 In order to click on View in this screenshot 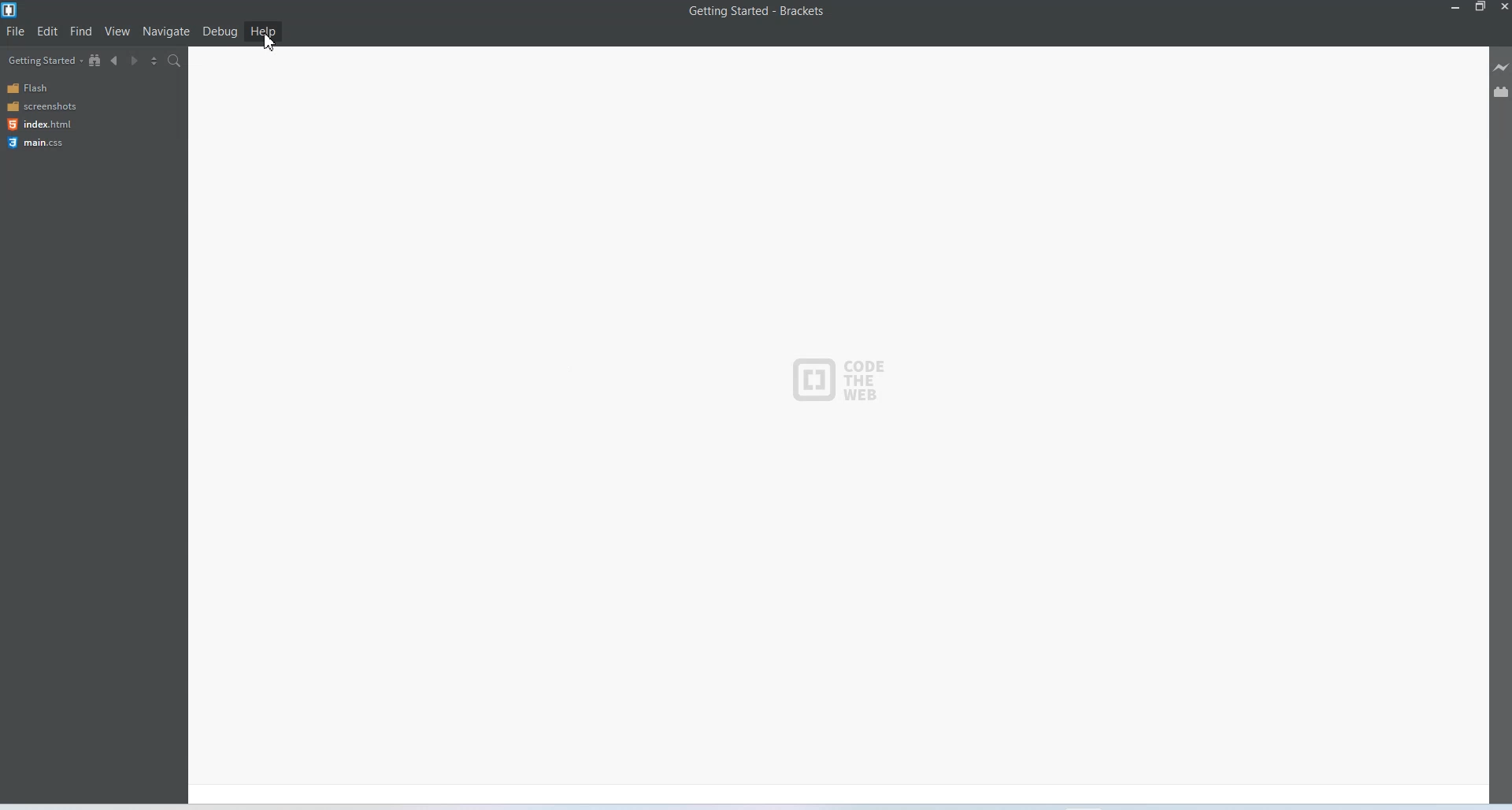, I will do `click(118, 32)`.